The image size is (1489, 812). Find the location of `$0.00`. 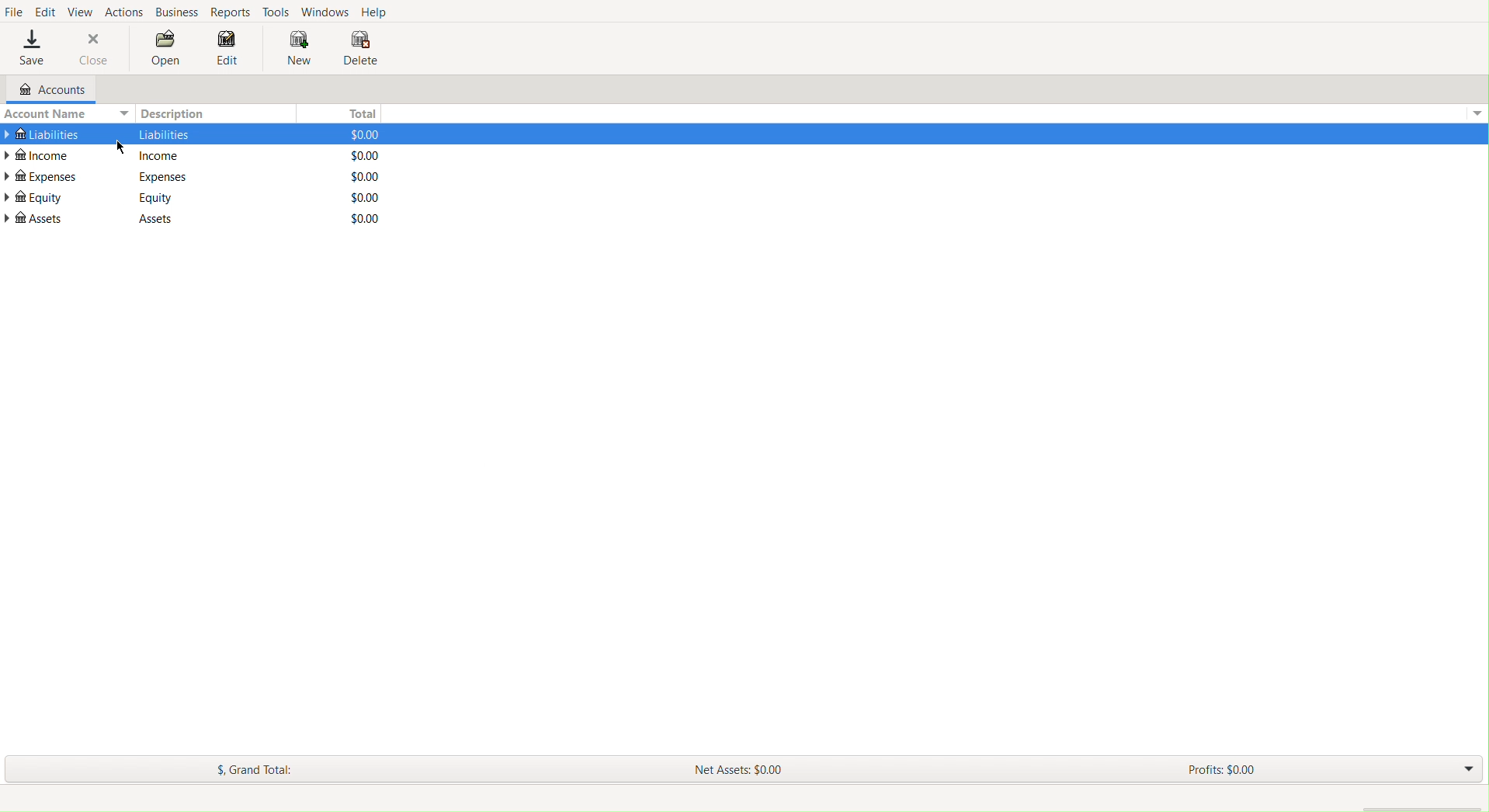

$0.00 is located at coordinates (359, 177).